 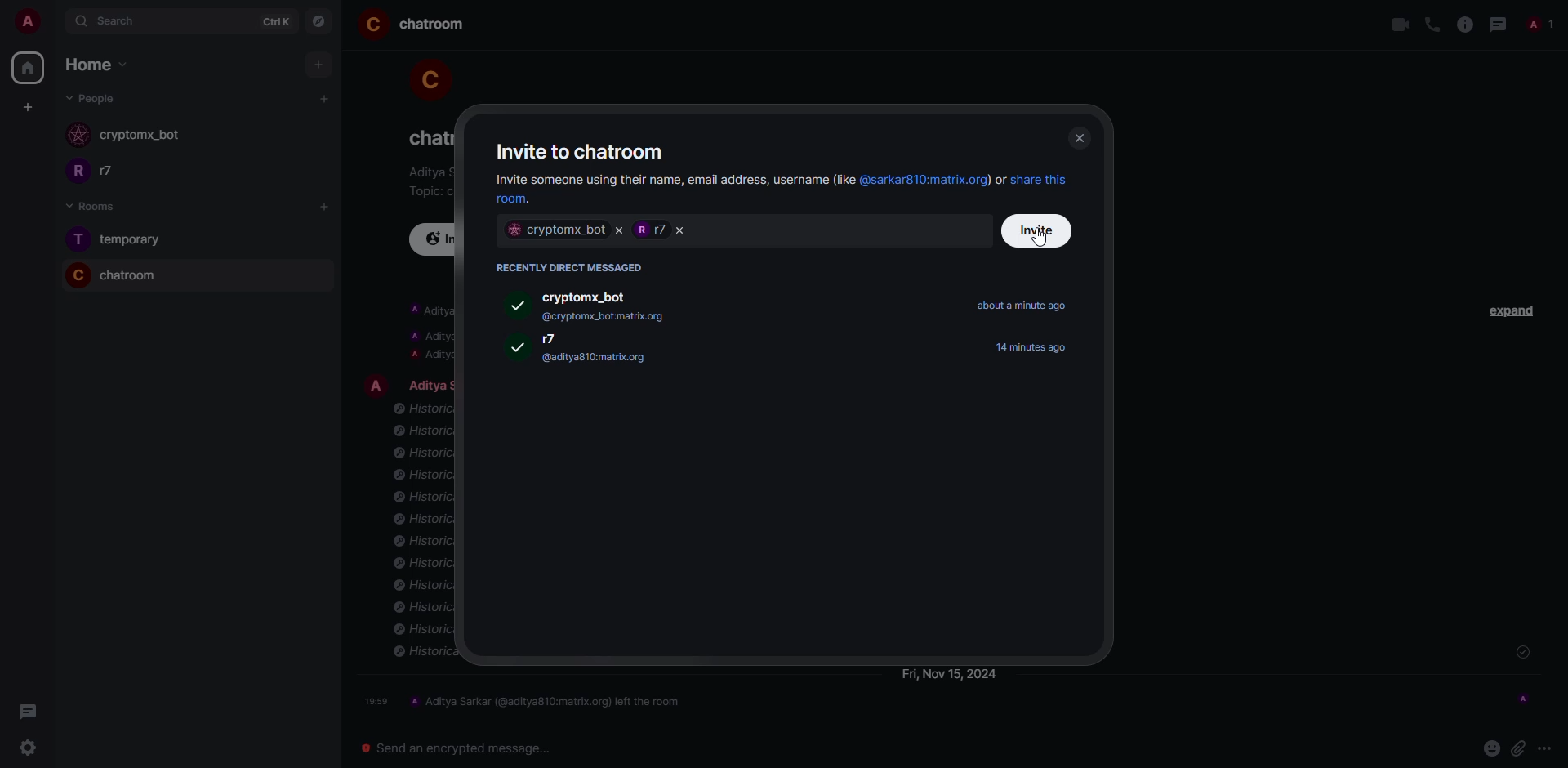 I want to click on threads, so click(x=24, y=712).